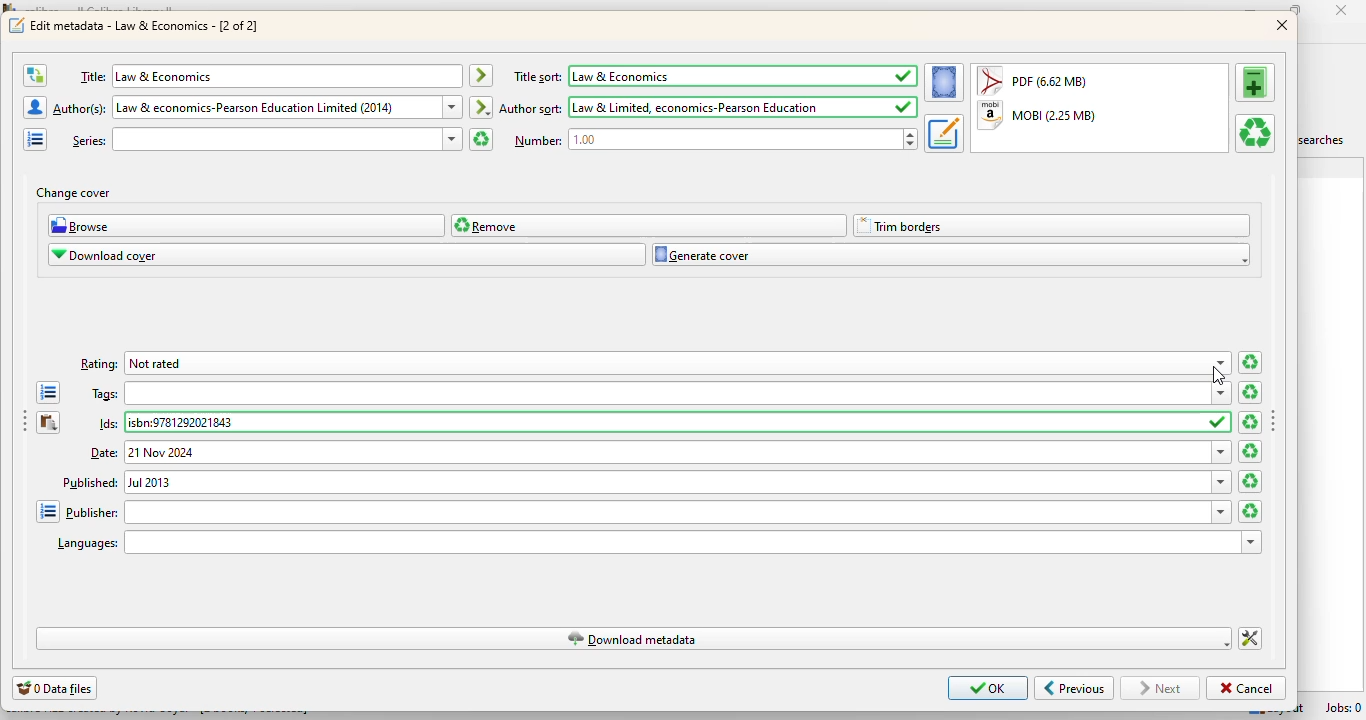 This screenshot has width=1366, height=720. What do you see at coordinates (479, 139) in the screenshot?
I see `clear series` at bounding box center [479, 139].